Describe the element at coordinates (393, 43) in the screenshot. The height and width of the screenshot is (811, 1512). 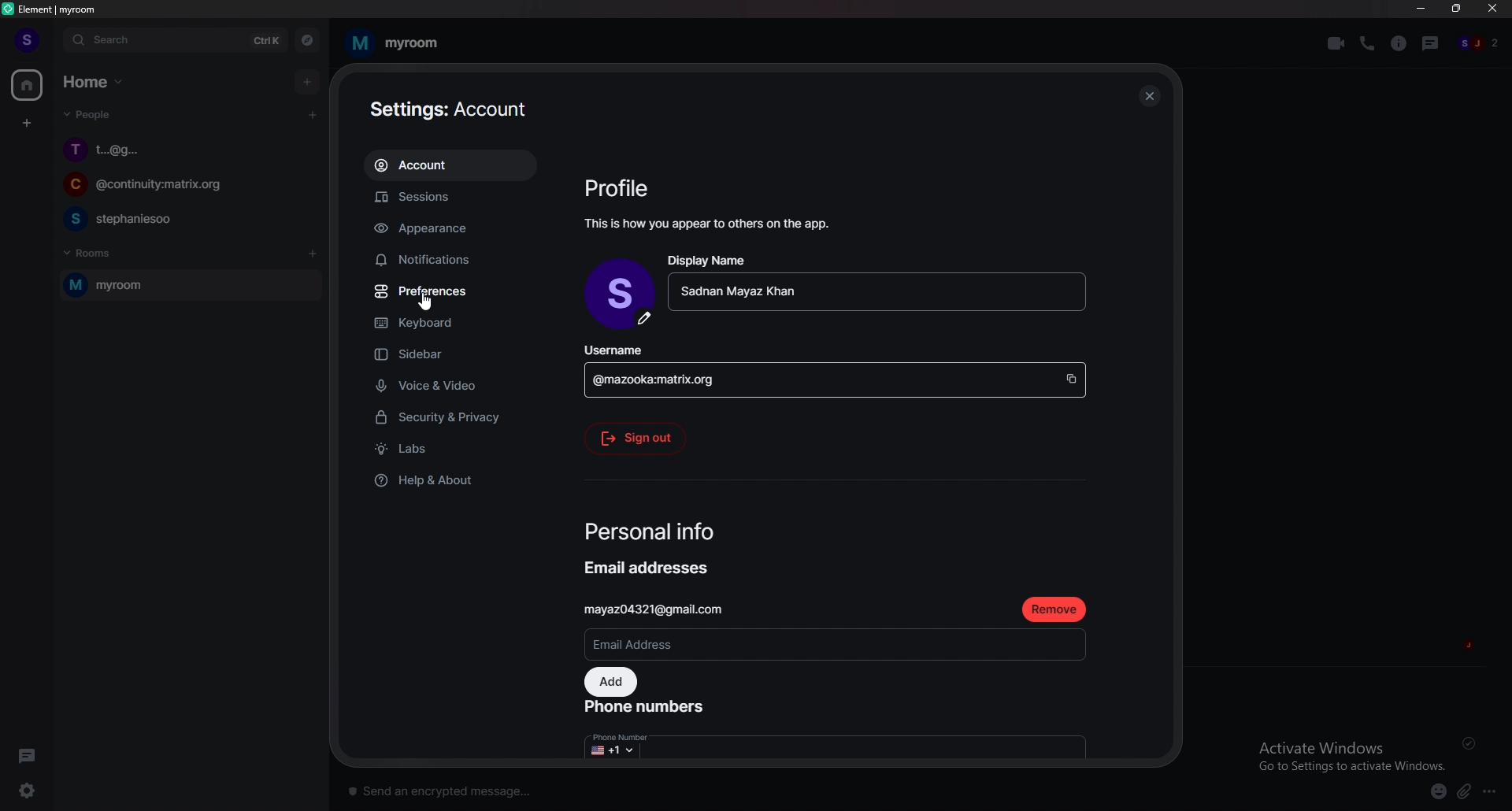
I see `room` at that location.